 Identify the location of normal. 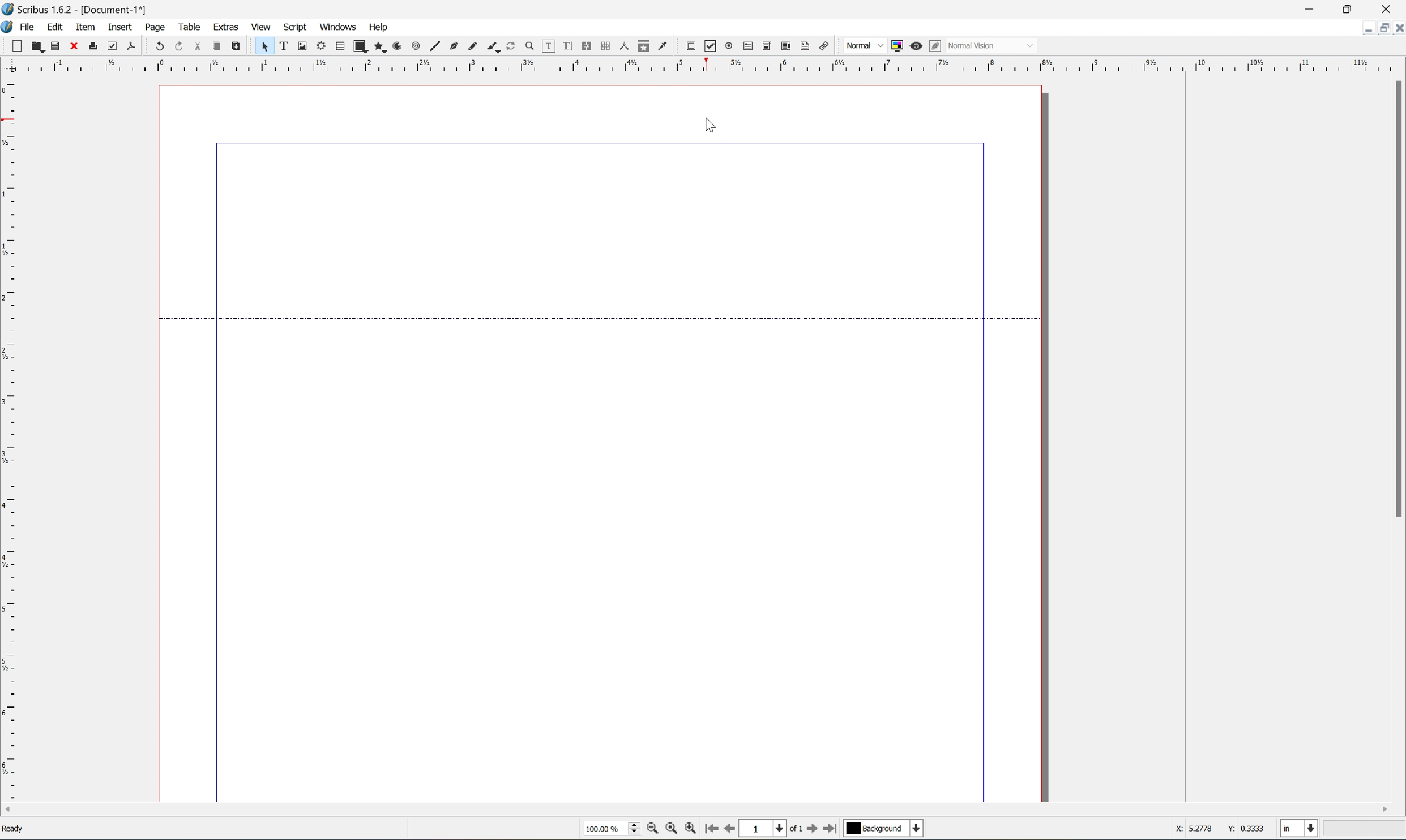
(866, 47).